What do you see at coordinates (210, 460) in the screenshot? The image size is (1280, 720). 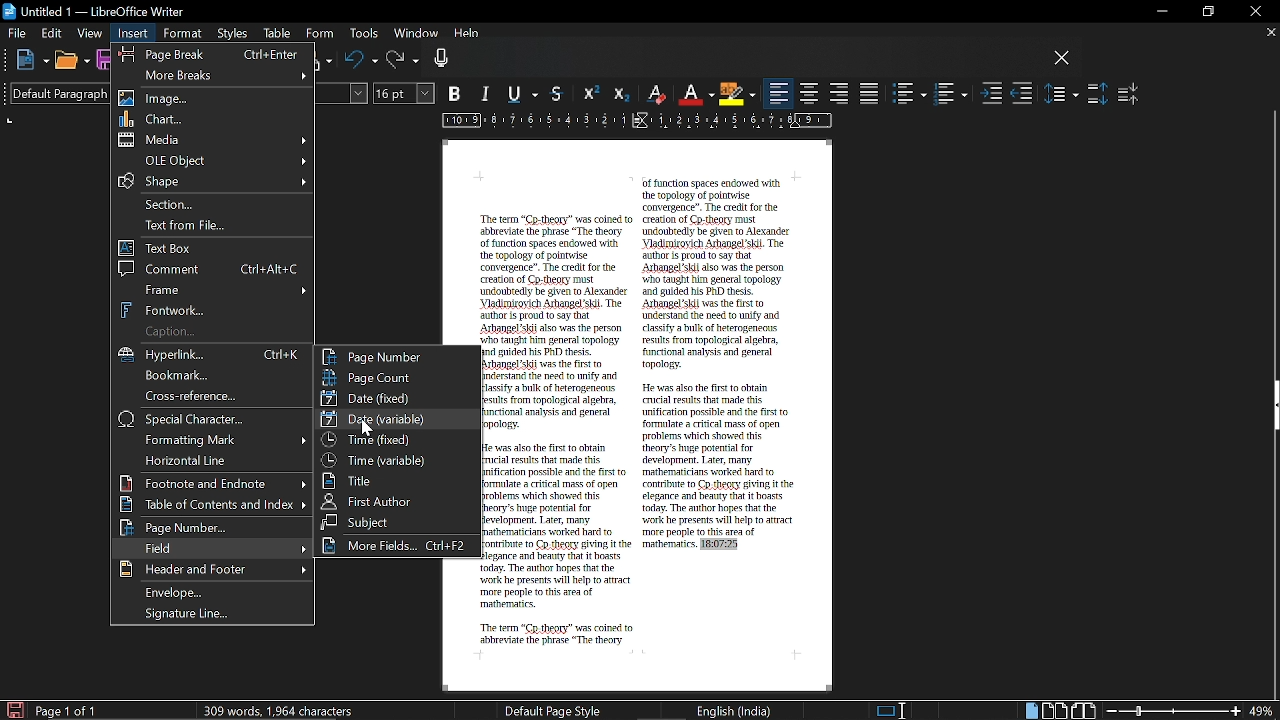 I see `Horizontal line` at bounding box center [210, 460].